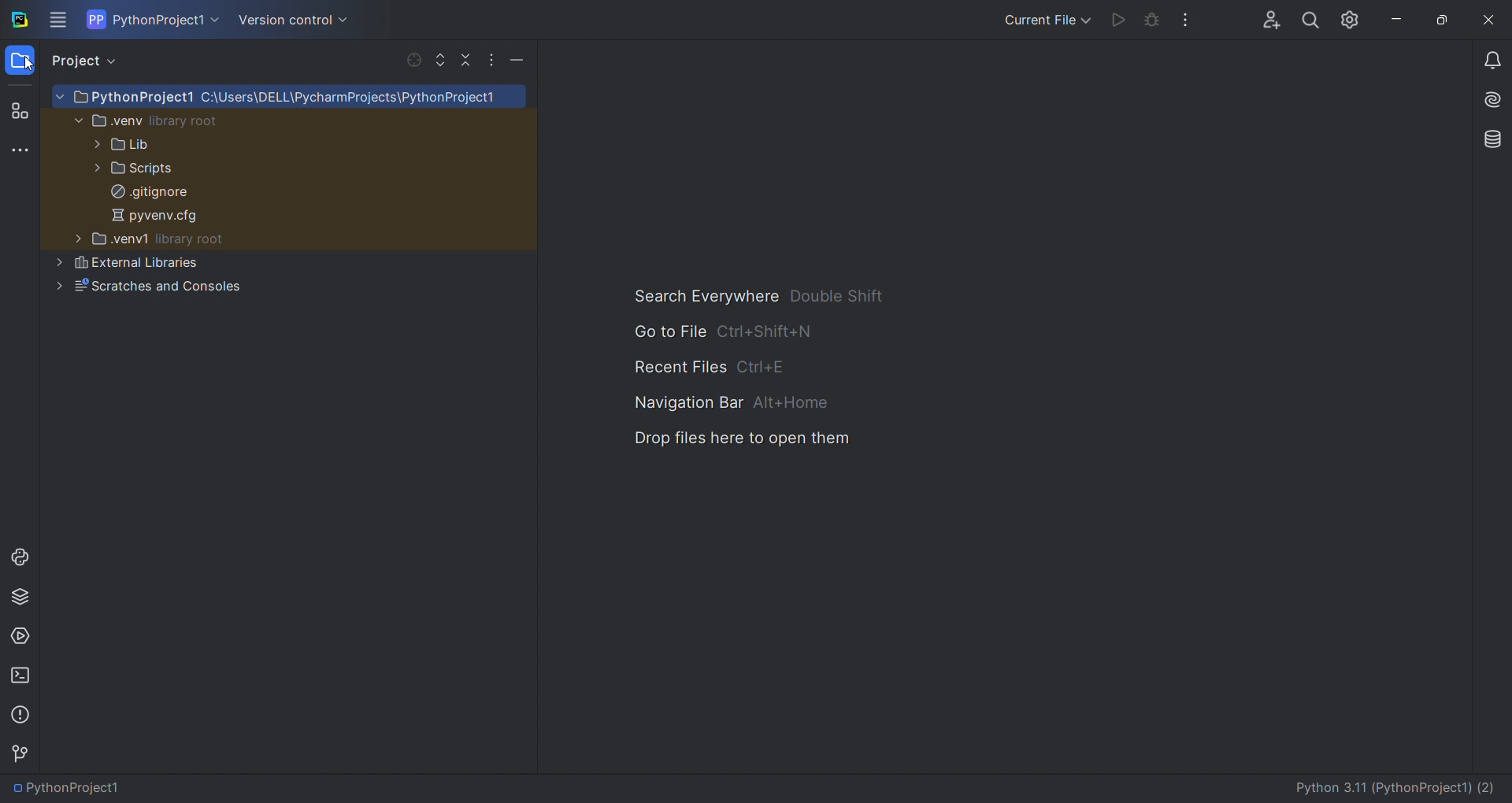 The image size is (1512, 803). I want to click on ai assistant, so click(1488, 99).